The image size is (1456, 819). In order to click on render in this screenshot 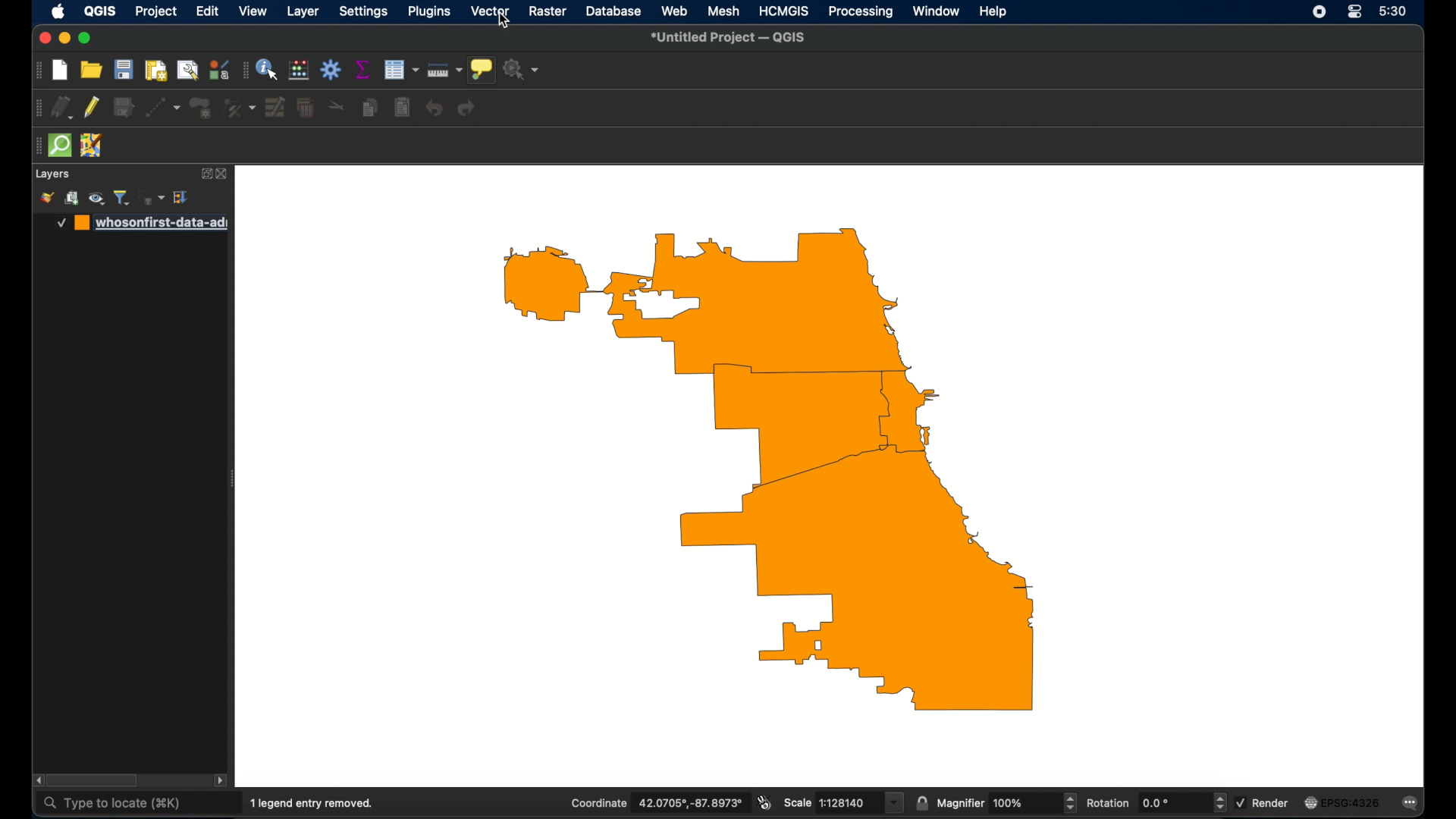, I will do `click(1262, 803)`.